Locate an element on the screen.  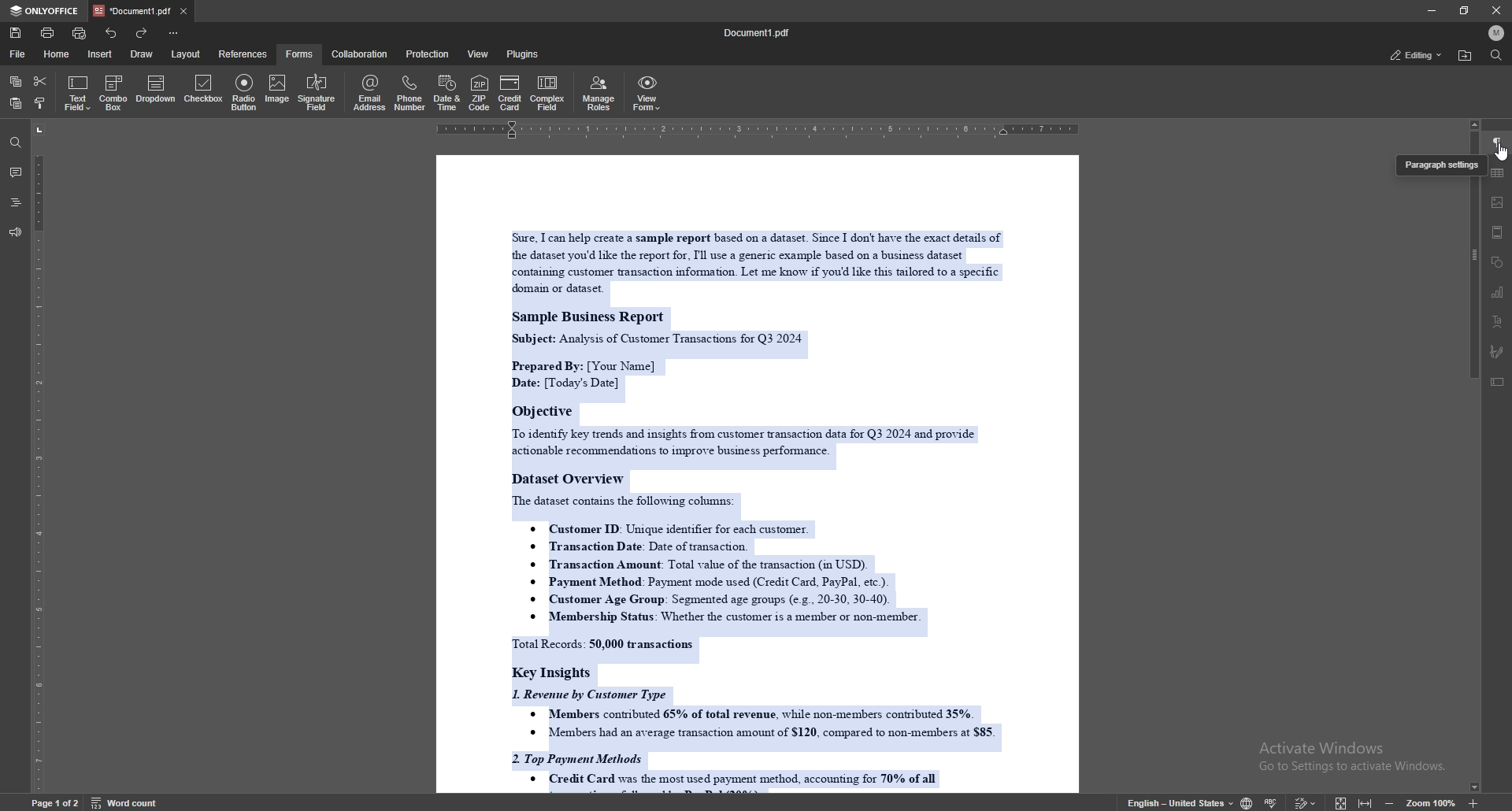
credit card is located at coordinates (510, 92).